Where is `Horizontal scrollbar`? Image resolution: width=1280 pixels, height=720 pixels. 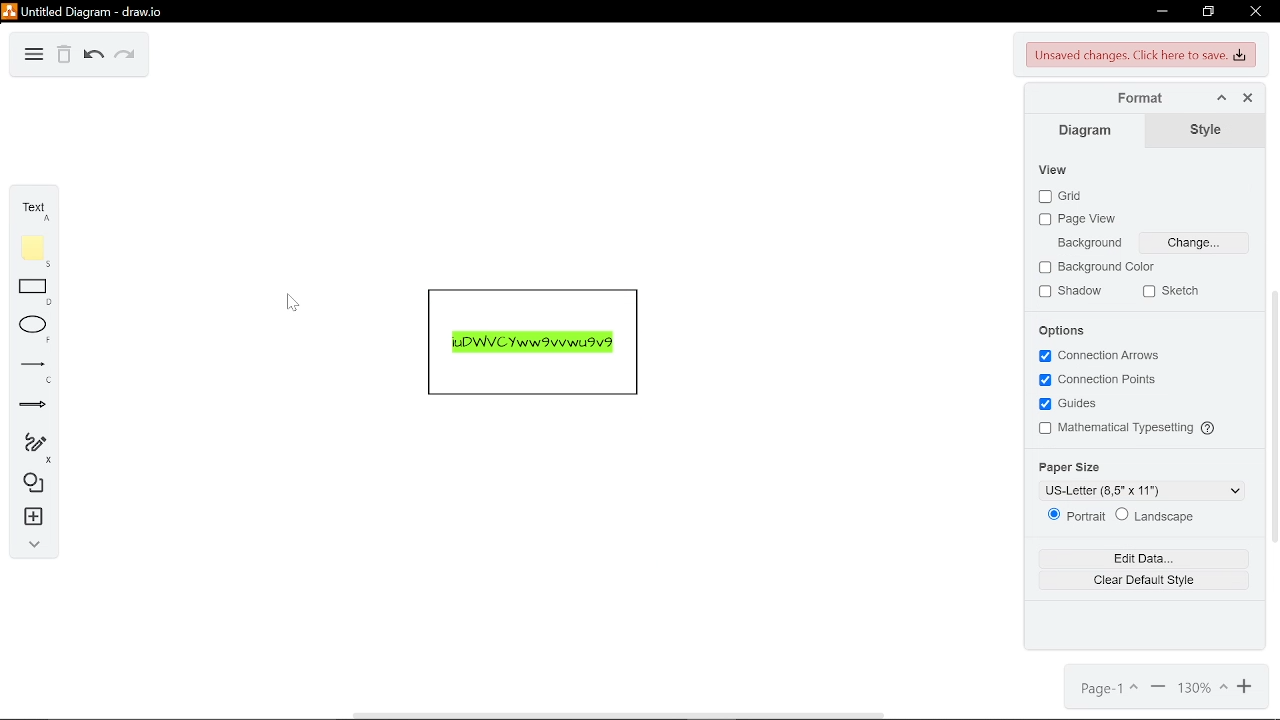
Horizontal scrollbar is located at coordinates (618, 715).